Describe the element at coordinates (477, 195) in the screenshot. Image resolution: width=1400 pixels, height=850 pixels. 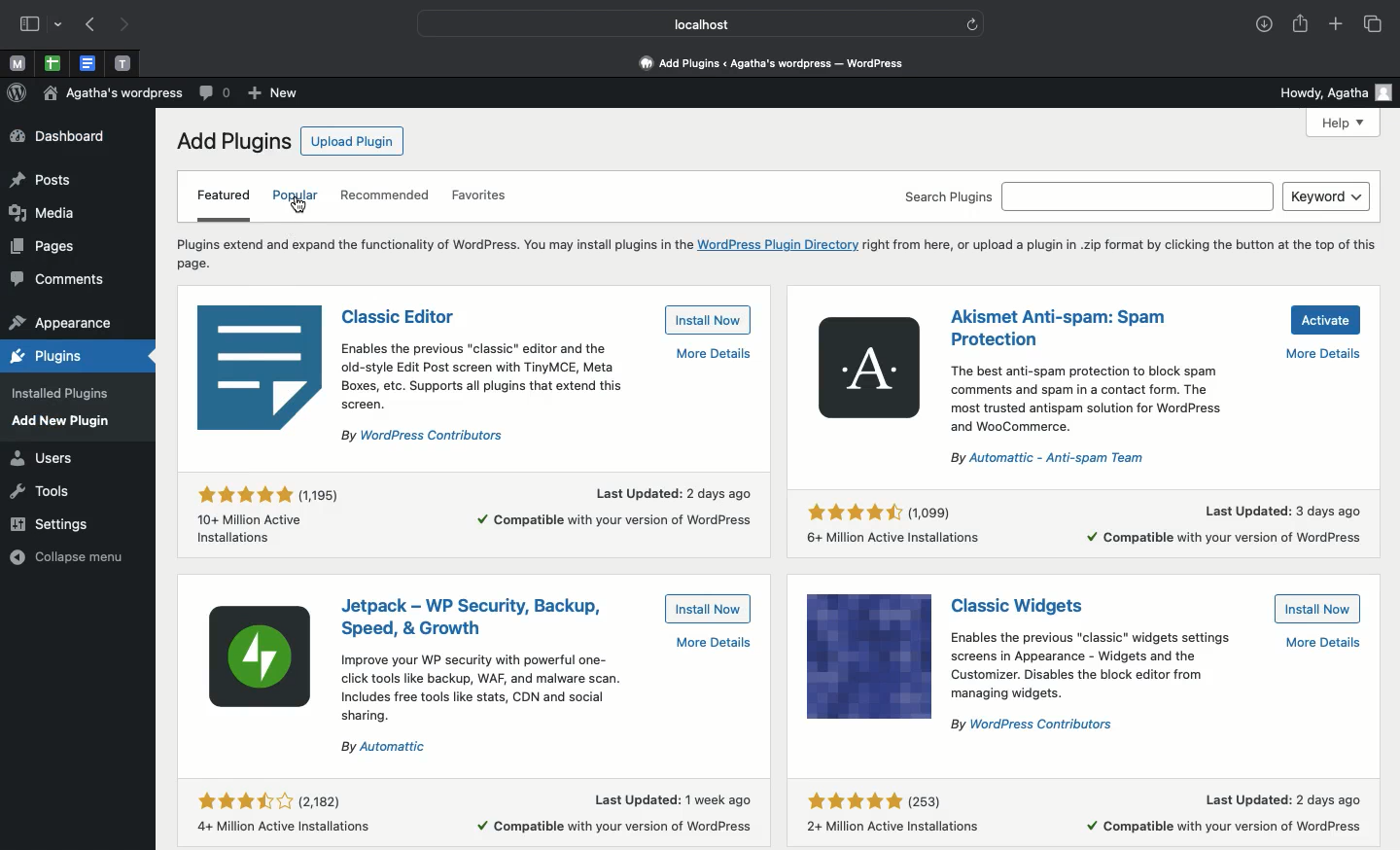
I see `Favorites` at that location.